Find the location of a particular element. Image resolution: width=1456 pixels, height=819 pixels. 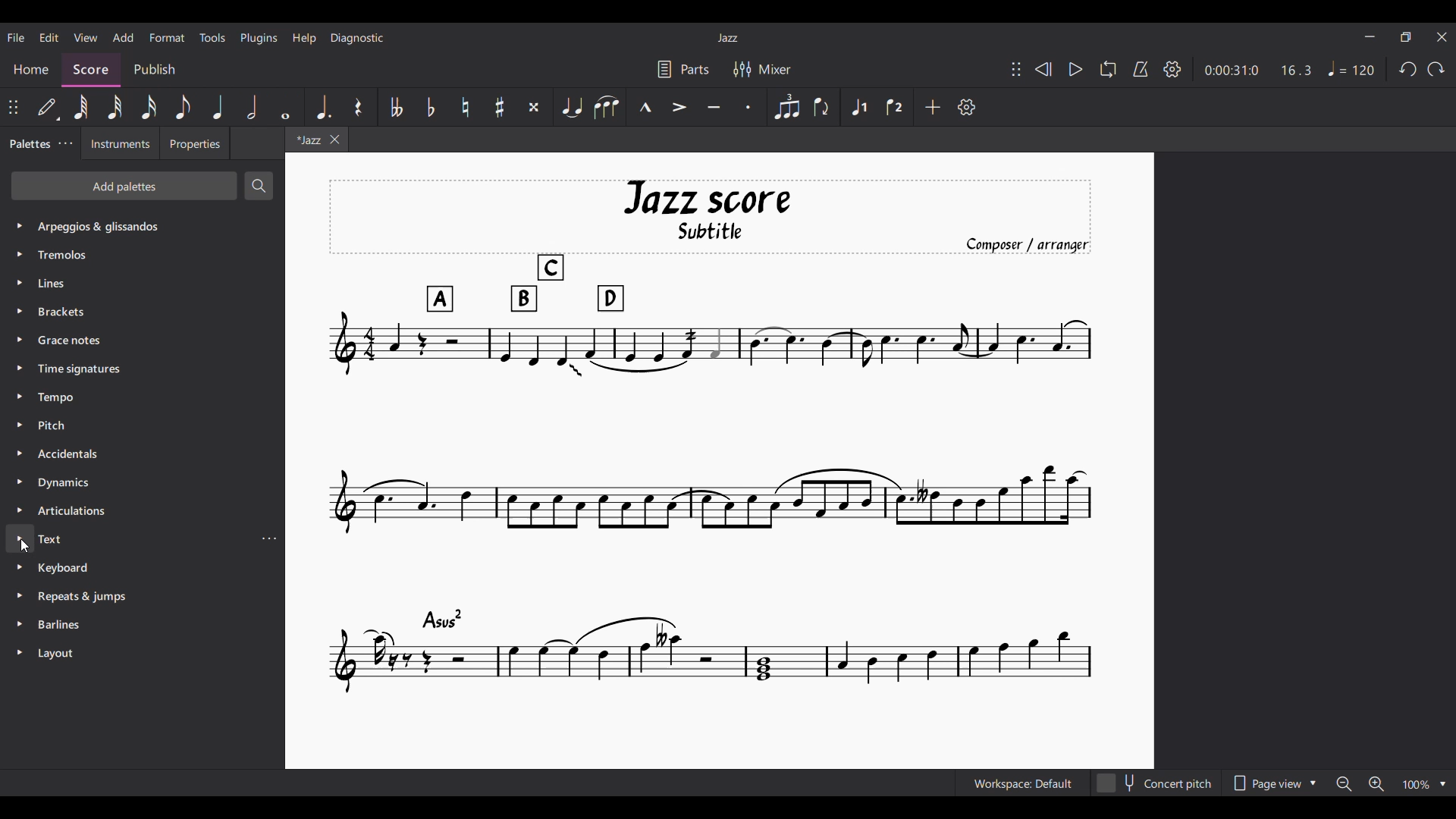

Current tab is located at coordinates (307, 140).